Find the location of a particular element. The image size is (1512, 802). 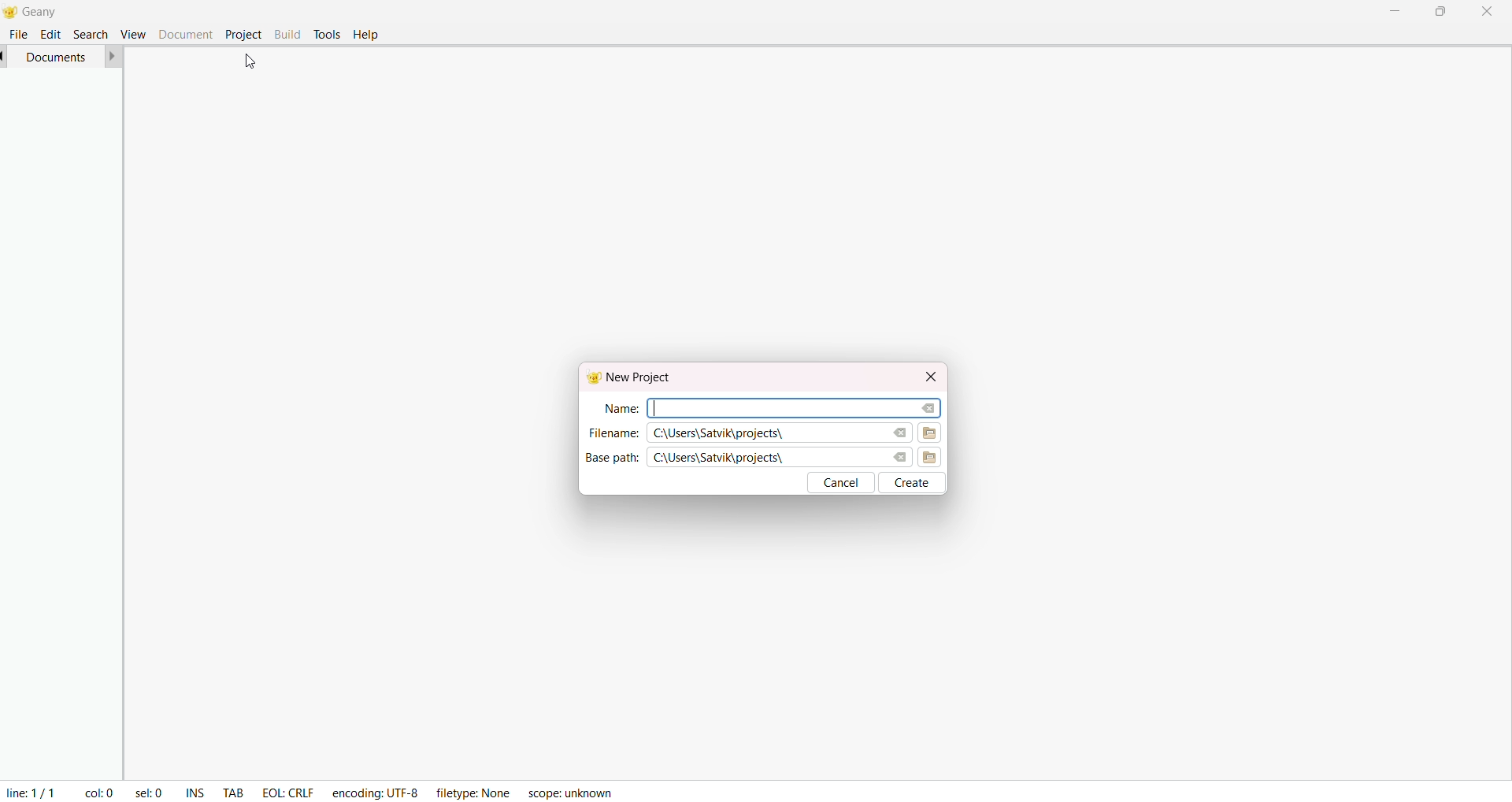

C:\Users\Satvik\projects\ is located at coordinates (726, 434).